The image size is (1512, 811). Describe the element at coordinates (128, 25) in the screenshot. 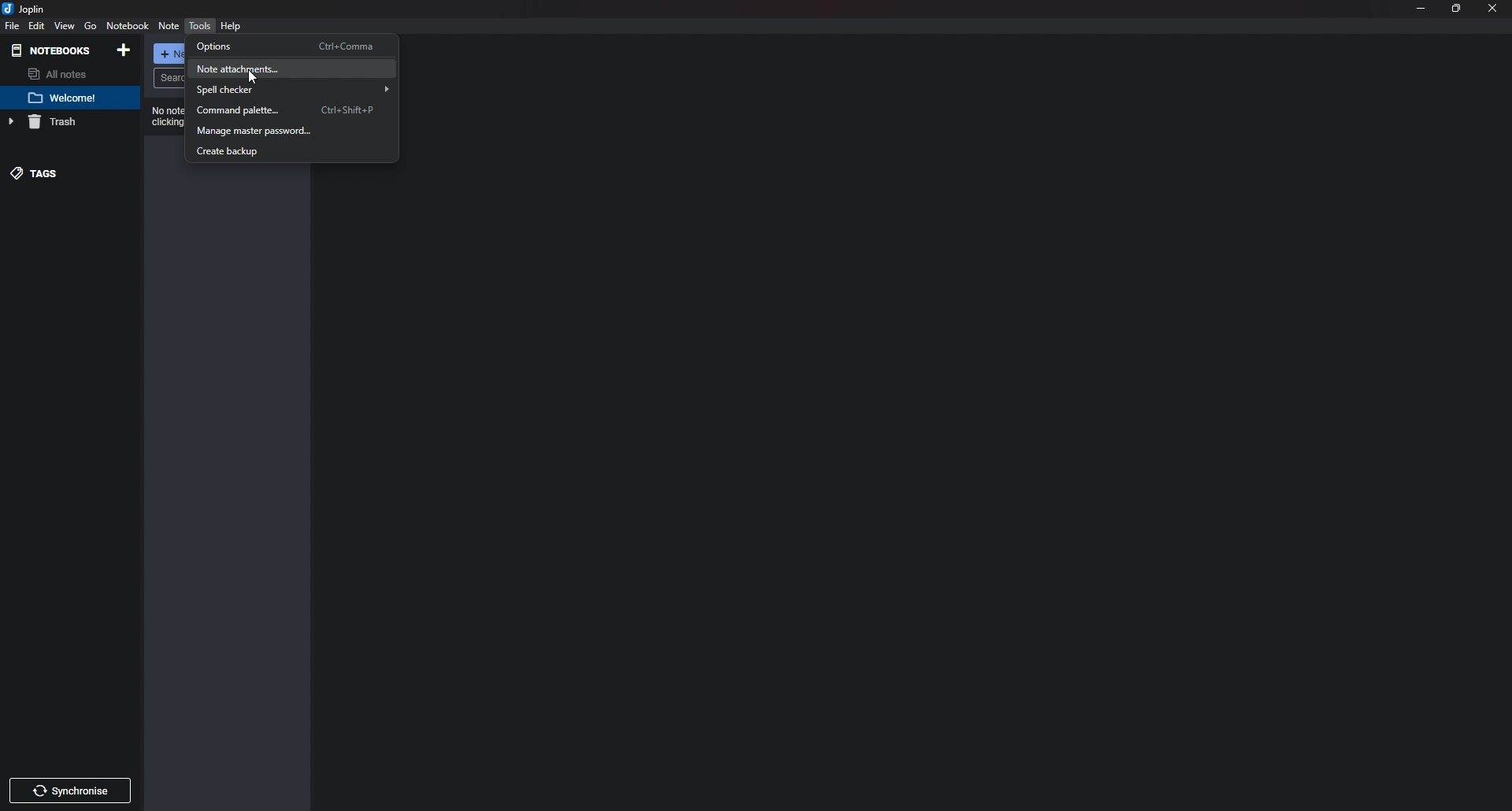

I see `note Book` at that location.